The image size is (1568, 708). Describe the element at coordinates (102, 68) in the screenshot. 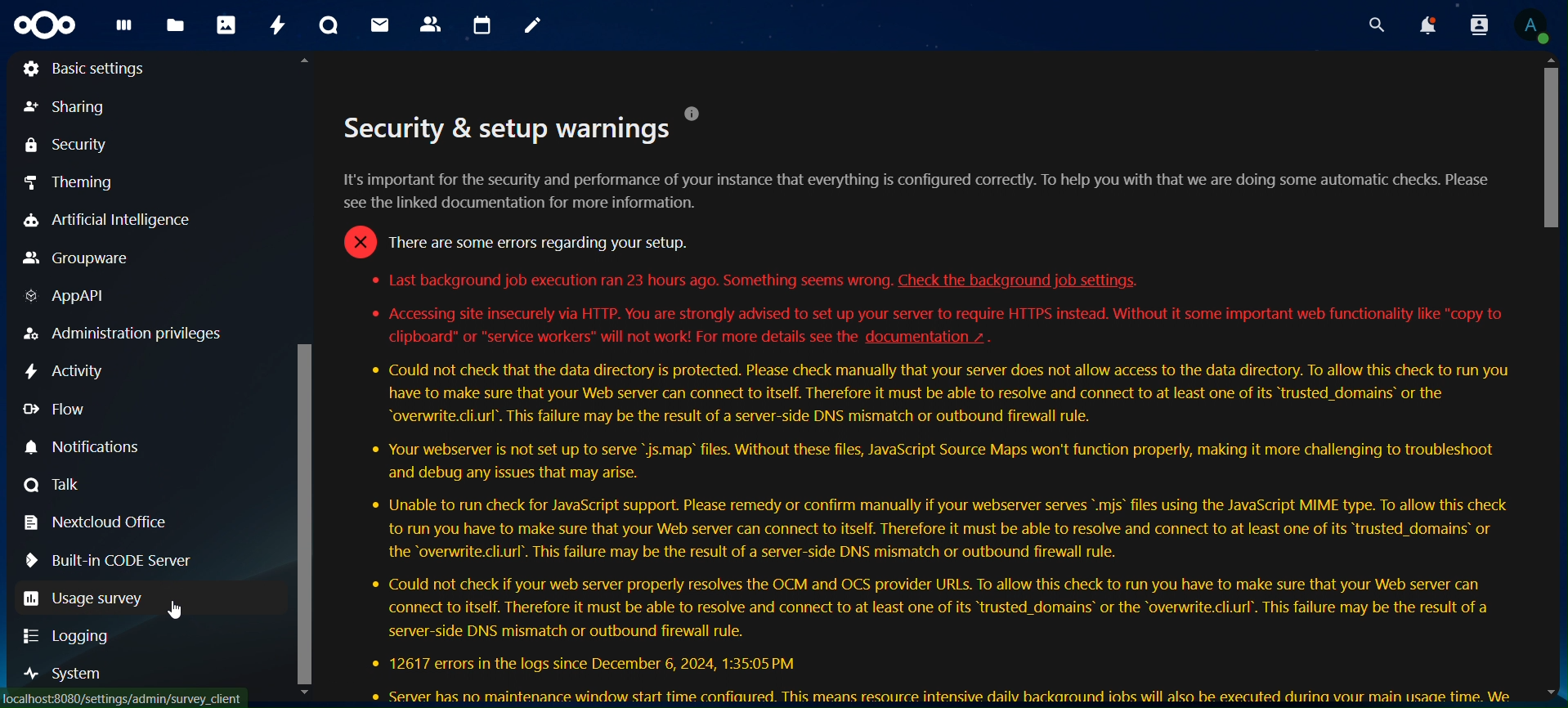

I see `basic settings` at that location.